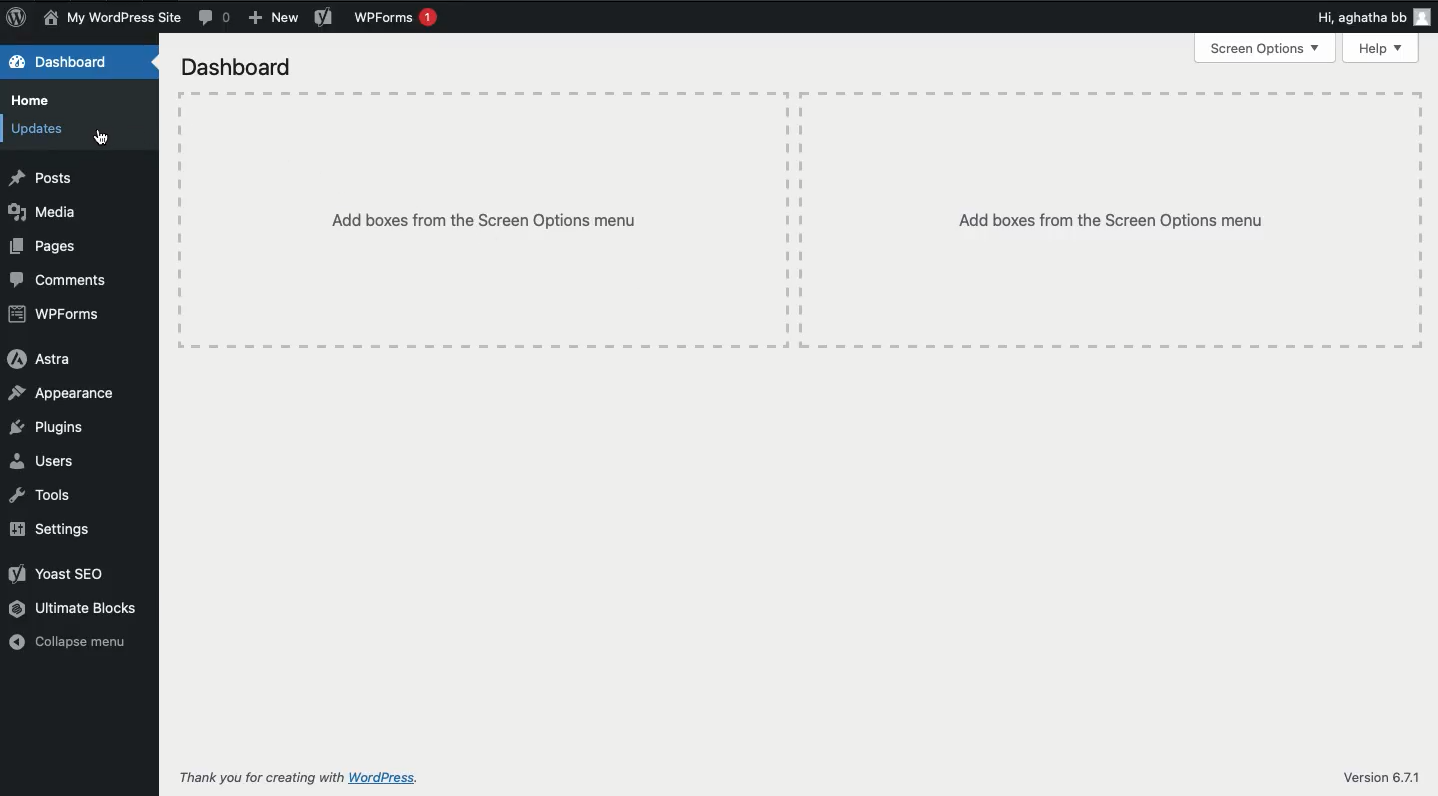  Describe the element at coordinates (323, 18) in the screenshot. I see `Yoast` at that location.